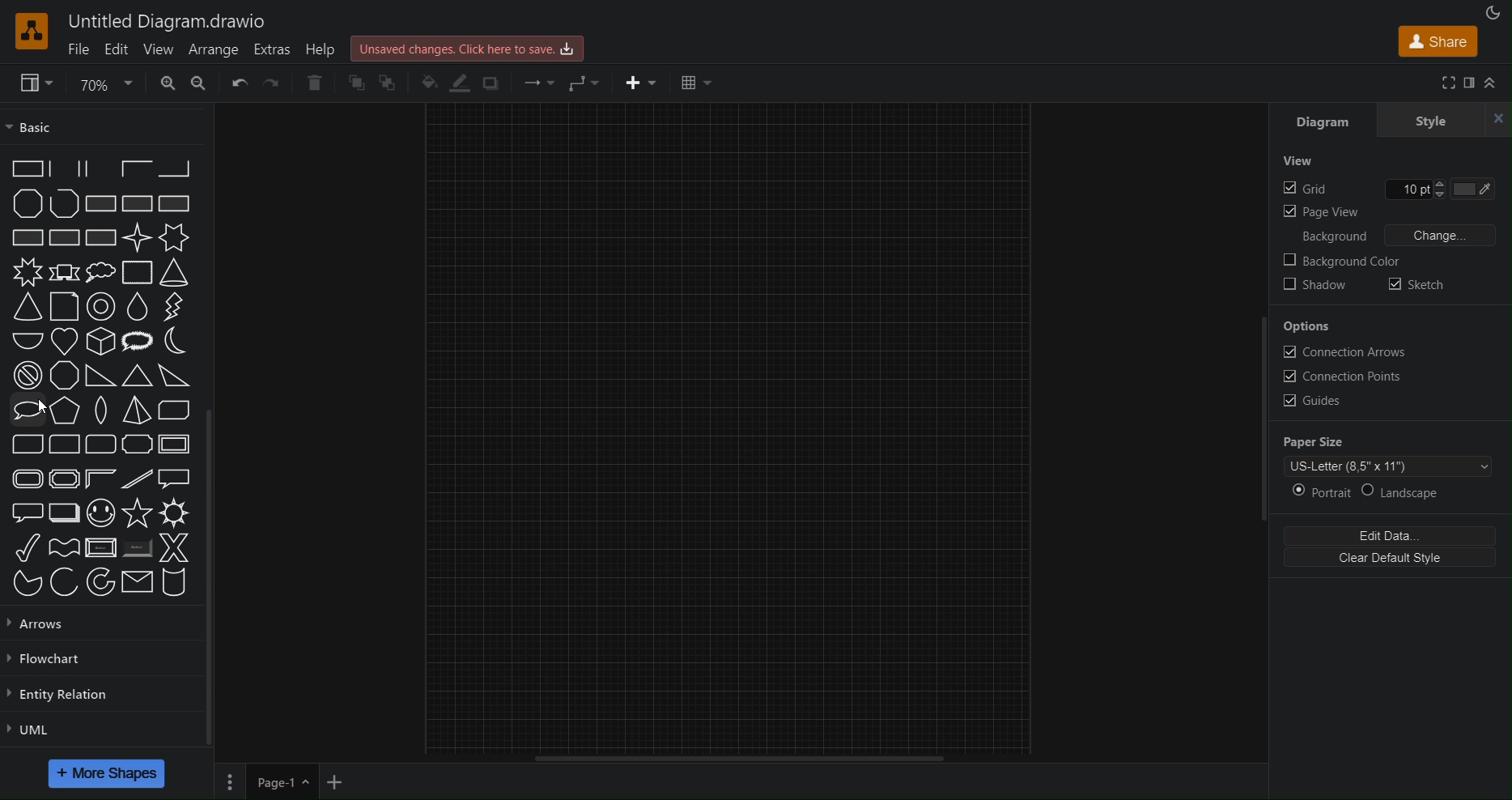 The image size is (1512, 800). I want to click on Portrait, so click(1318, 494).